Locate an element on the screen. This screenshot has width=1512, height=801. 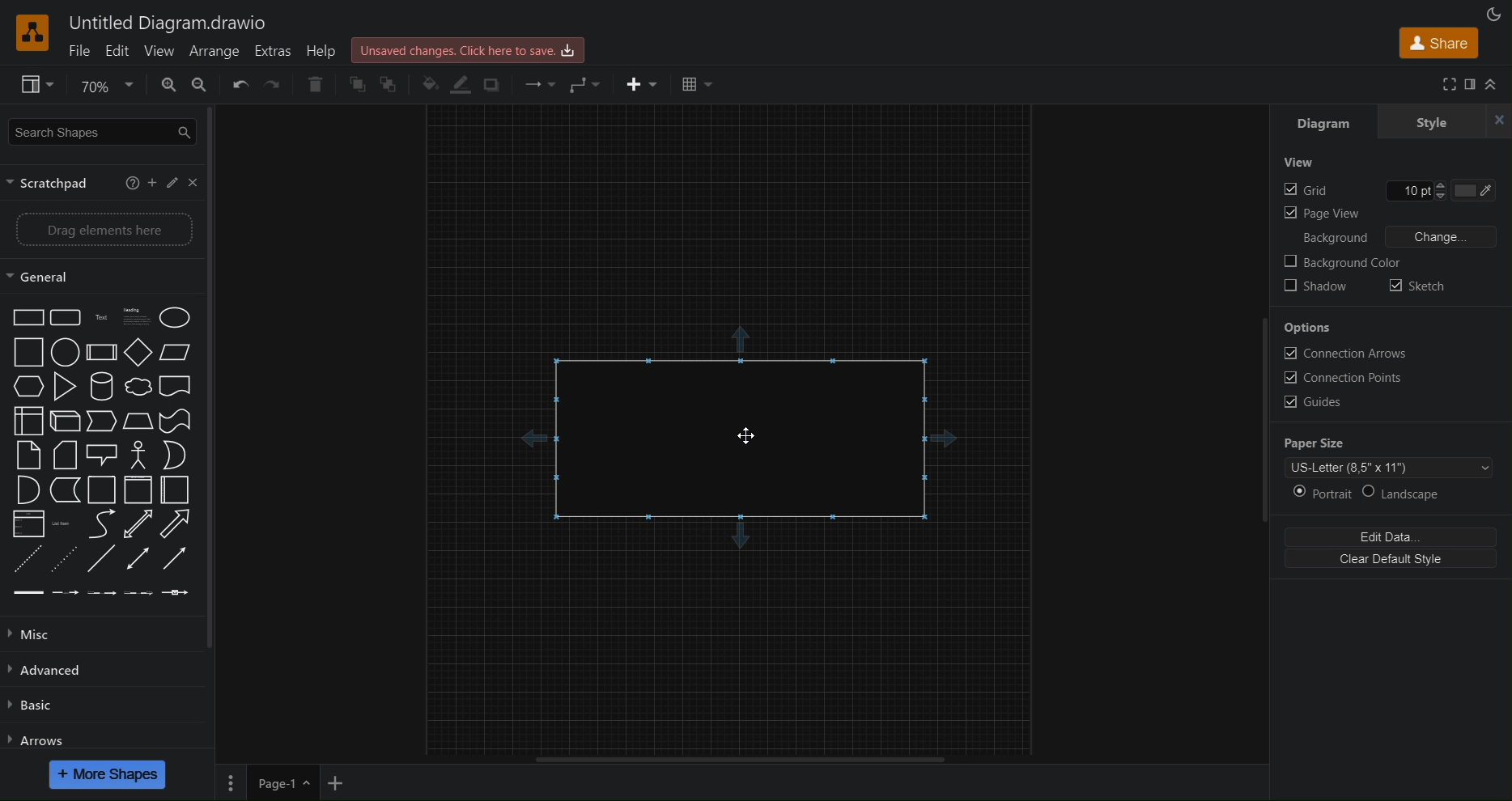
Waypoints is located at coordinates (584, 83).